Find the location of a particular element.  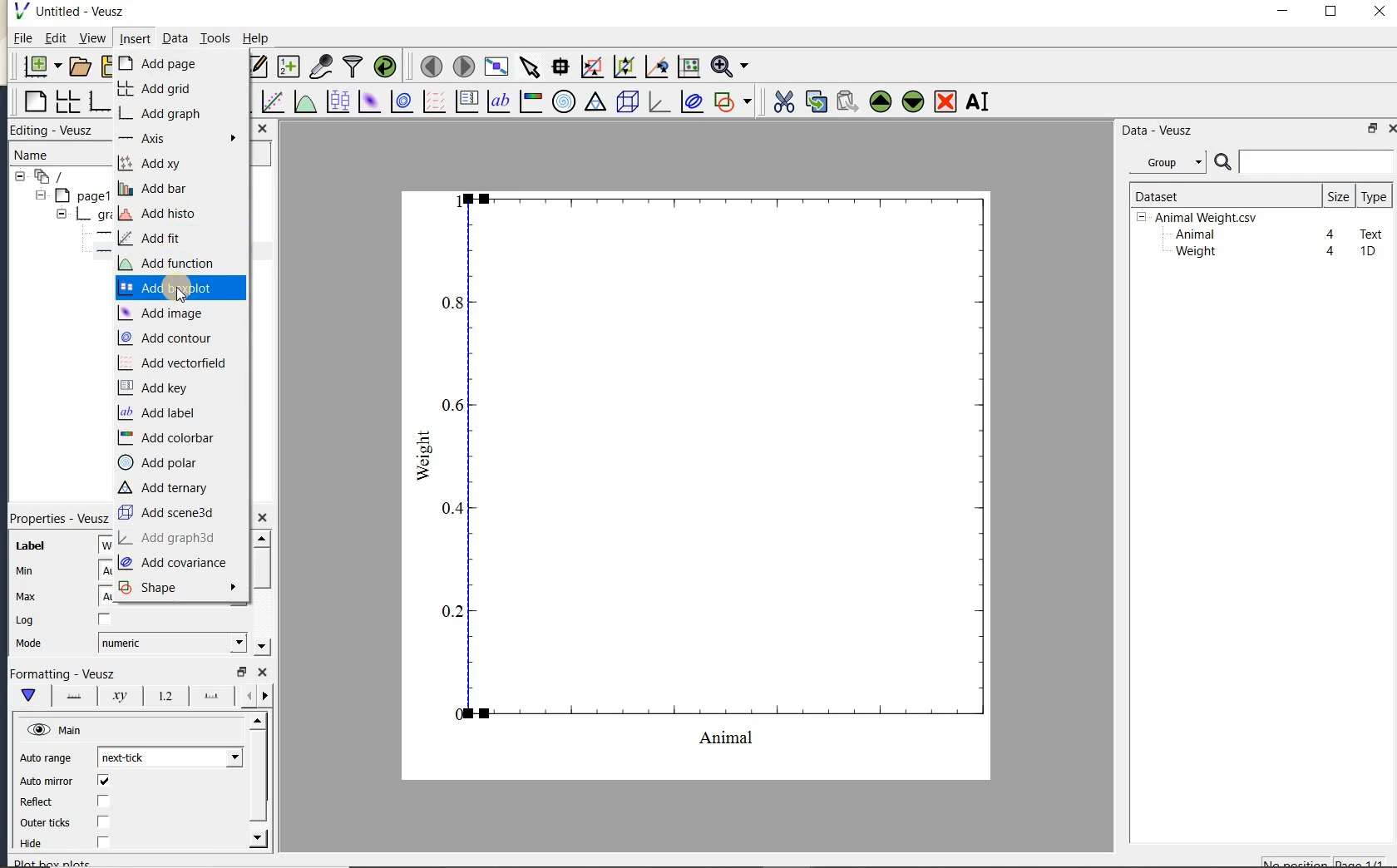

add graph is located at coordinates (166, 115).